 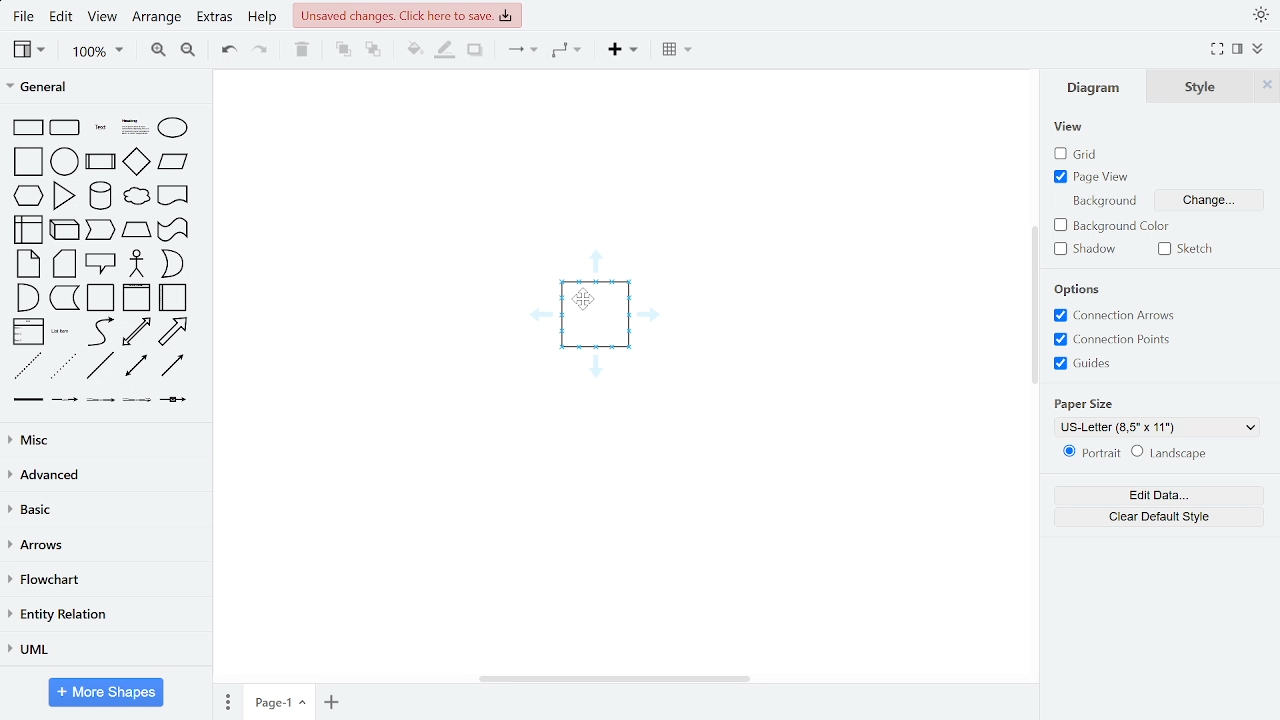 I want to click on general shapes, so click(x=136, y=298).